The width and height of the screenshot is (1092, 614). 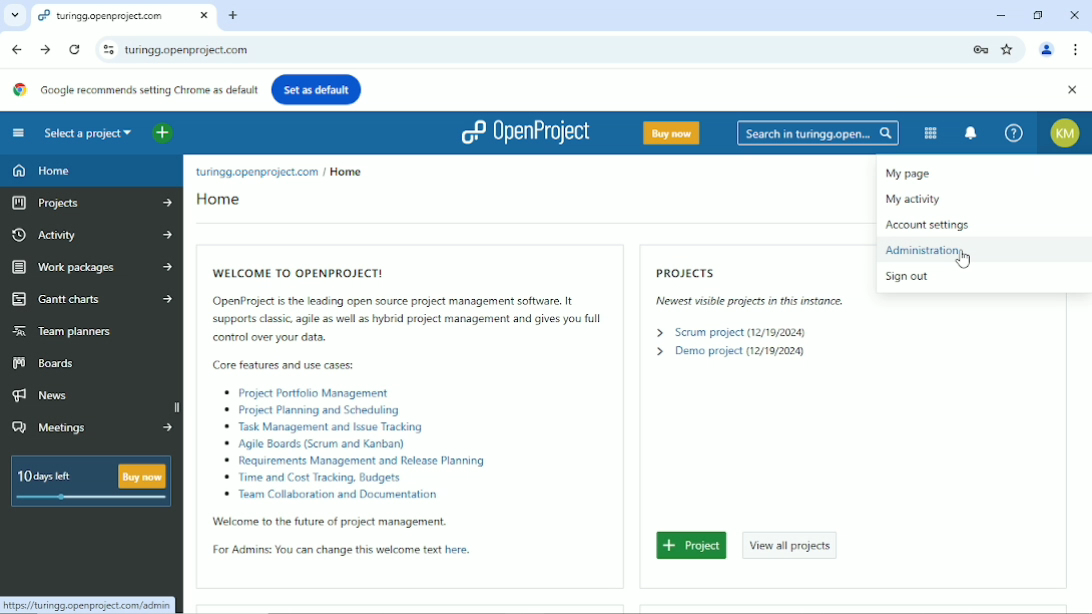 What do you see at coordinates (44, 49) in the screenshot?
I see `Forward` at bounding box center [44, 49].